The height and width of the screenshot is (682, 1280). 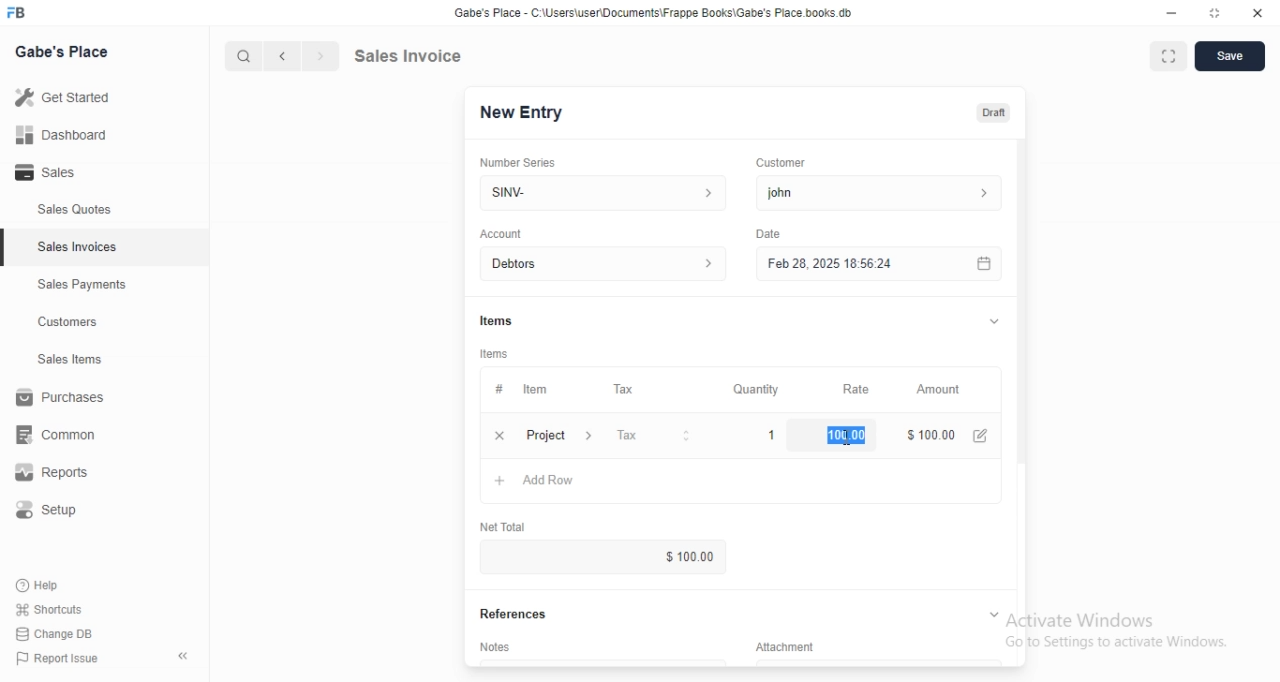 I want to click on $100.00, so click(x=927, y=433).